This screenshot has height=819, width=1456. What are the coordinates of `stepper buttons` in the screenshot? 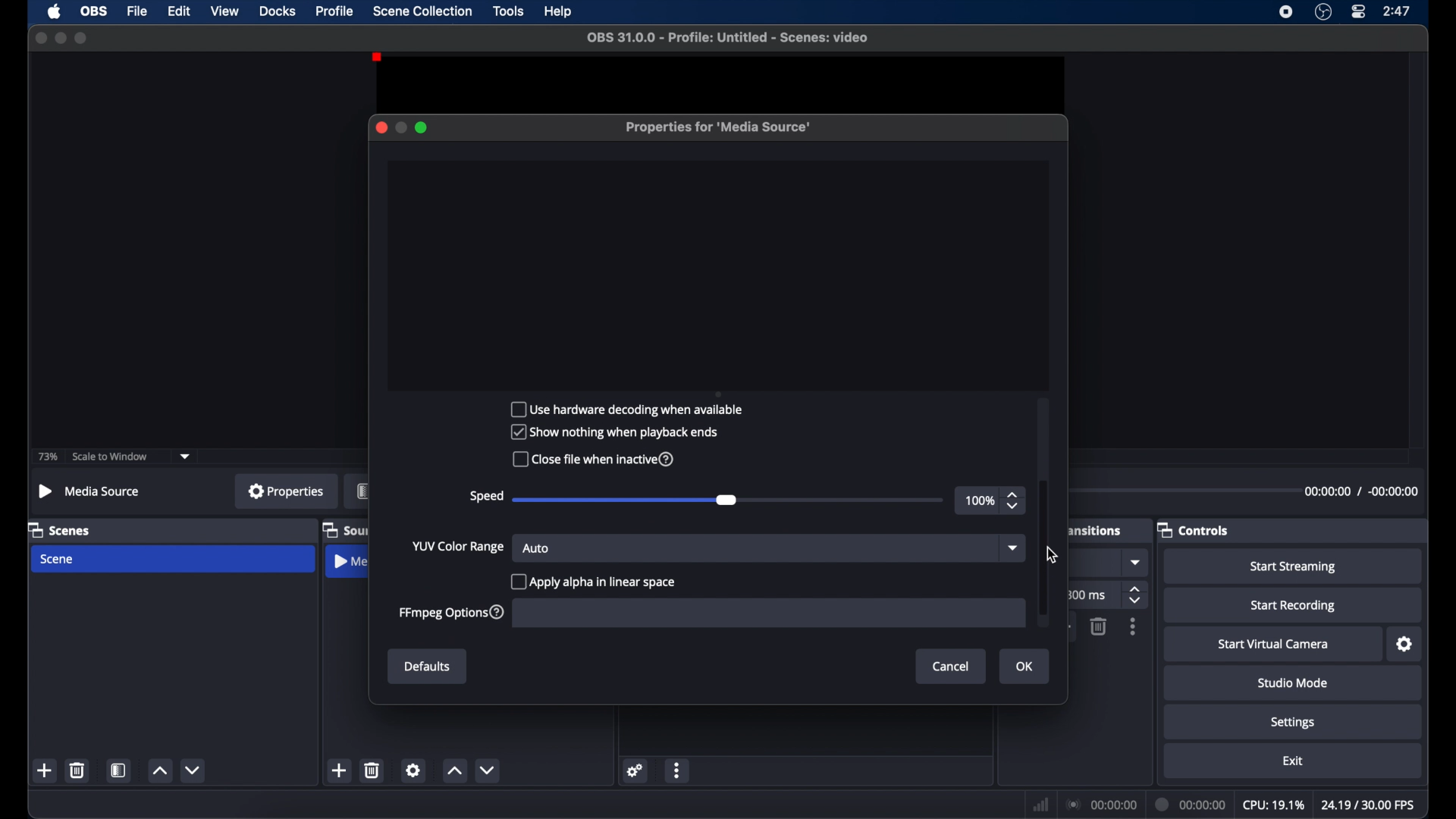 It's located at (1137, 595).